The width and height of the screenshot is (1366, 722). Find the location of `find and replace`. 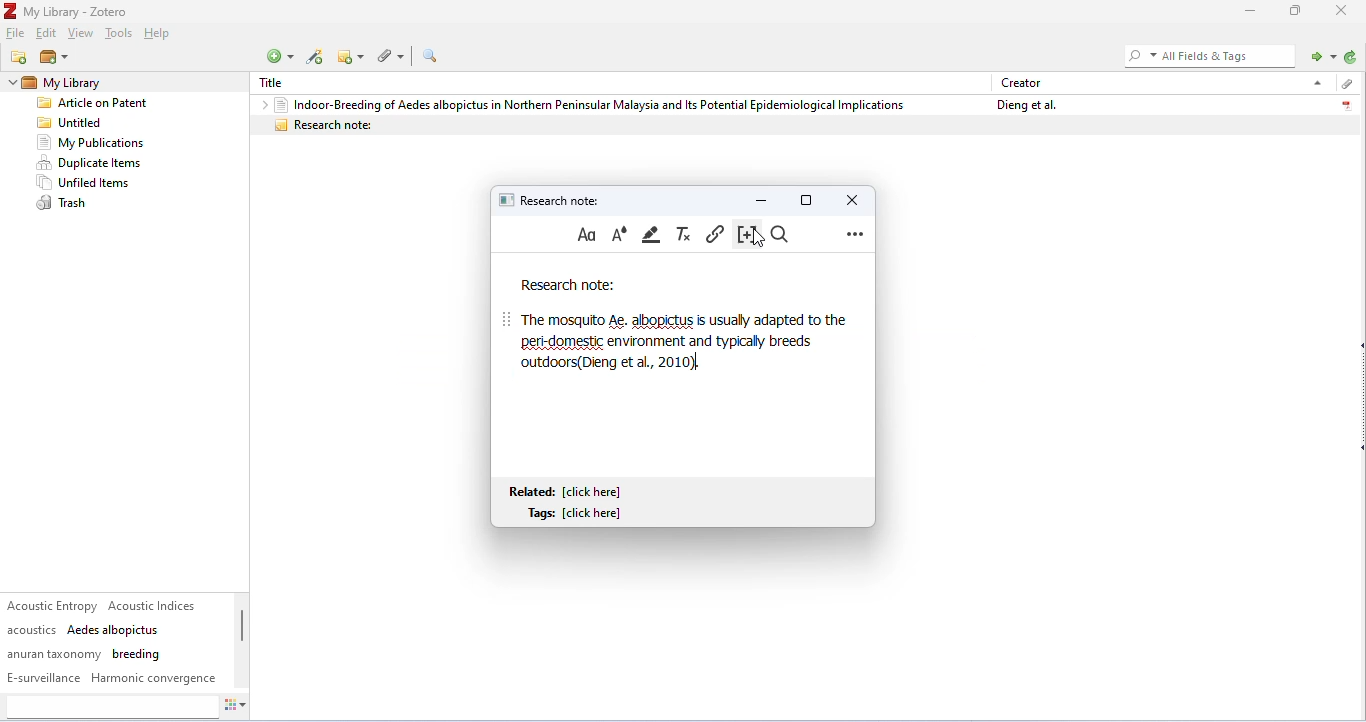

find and replace is located at coordinates (783, 235).